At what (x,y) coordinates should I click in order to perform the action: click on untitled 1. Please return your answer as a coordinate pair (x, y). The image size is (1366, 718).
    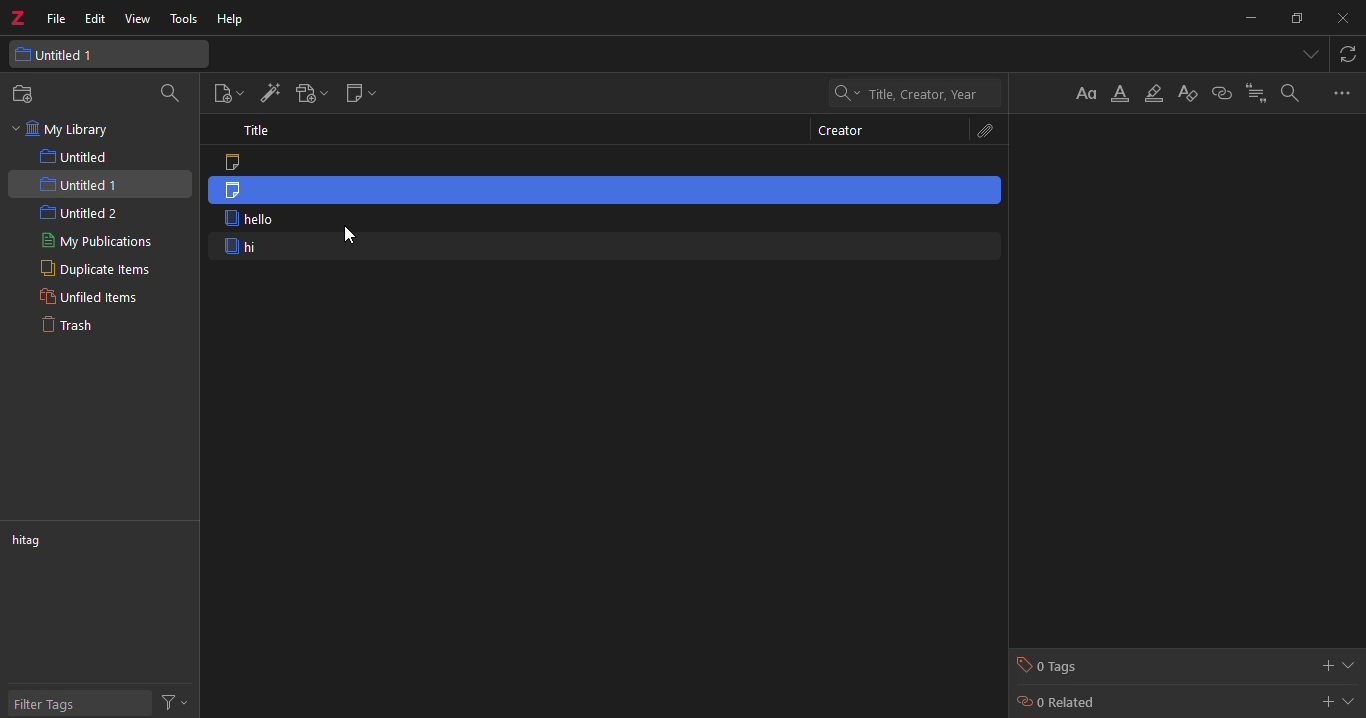
    Looking at the image, I should click on (62, 55).